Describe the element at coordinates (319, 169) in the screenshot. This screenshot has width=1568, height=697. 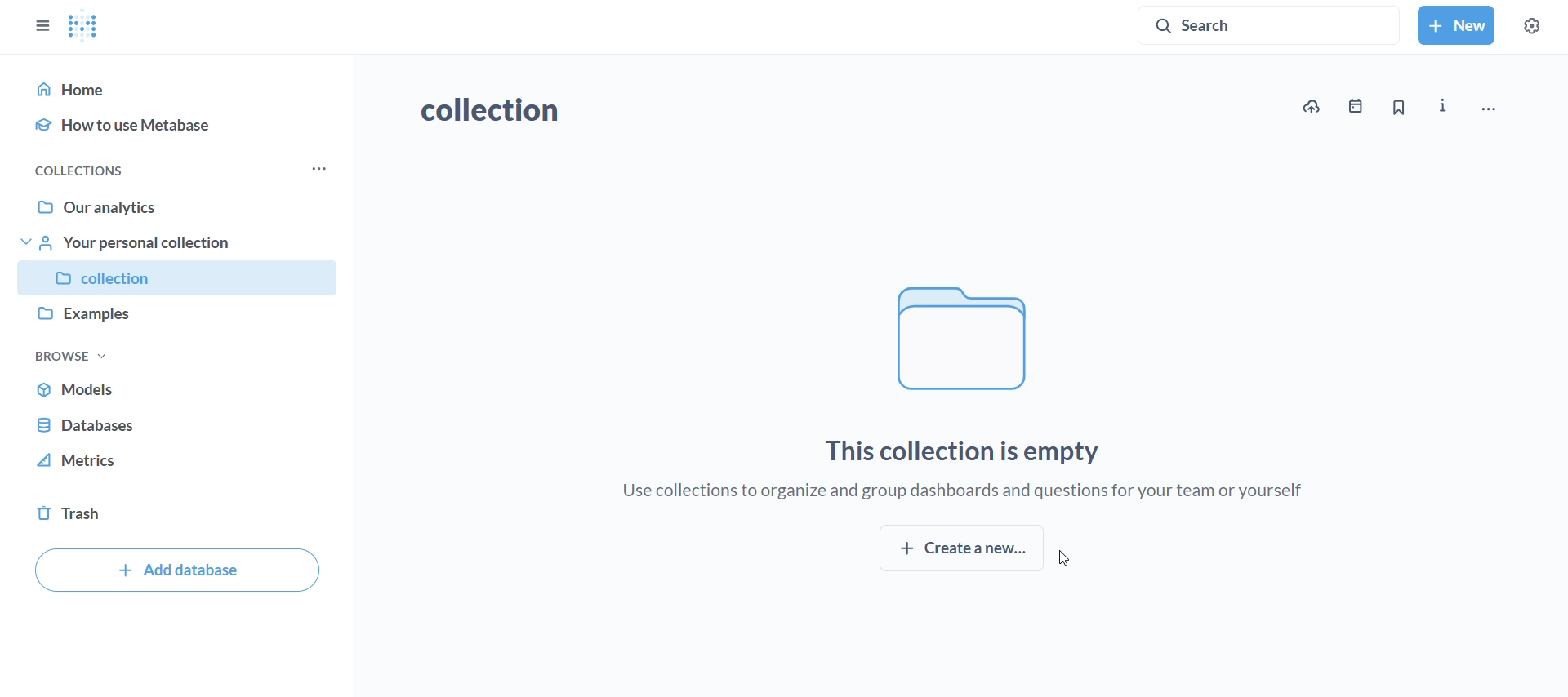
I see `more` at that location.